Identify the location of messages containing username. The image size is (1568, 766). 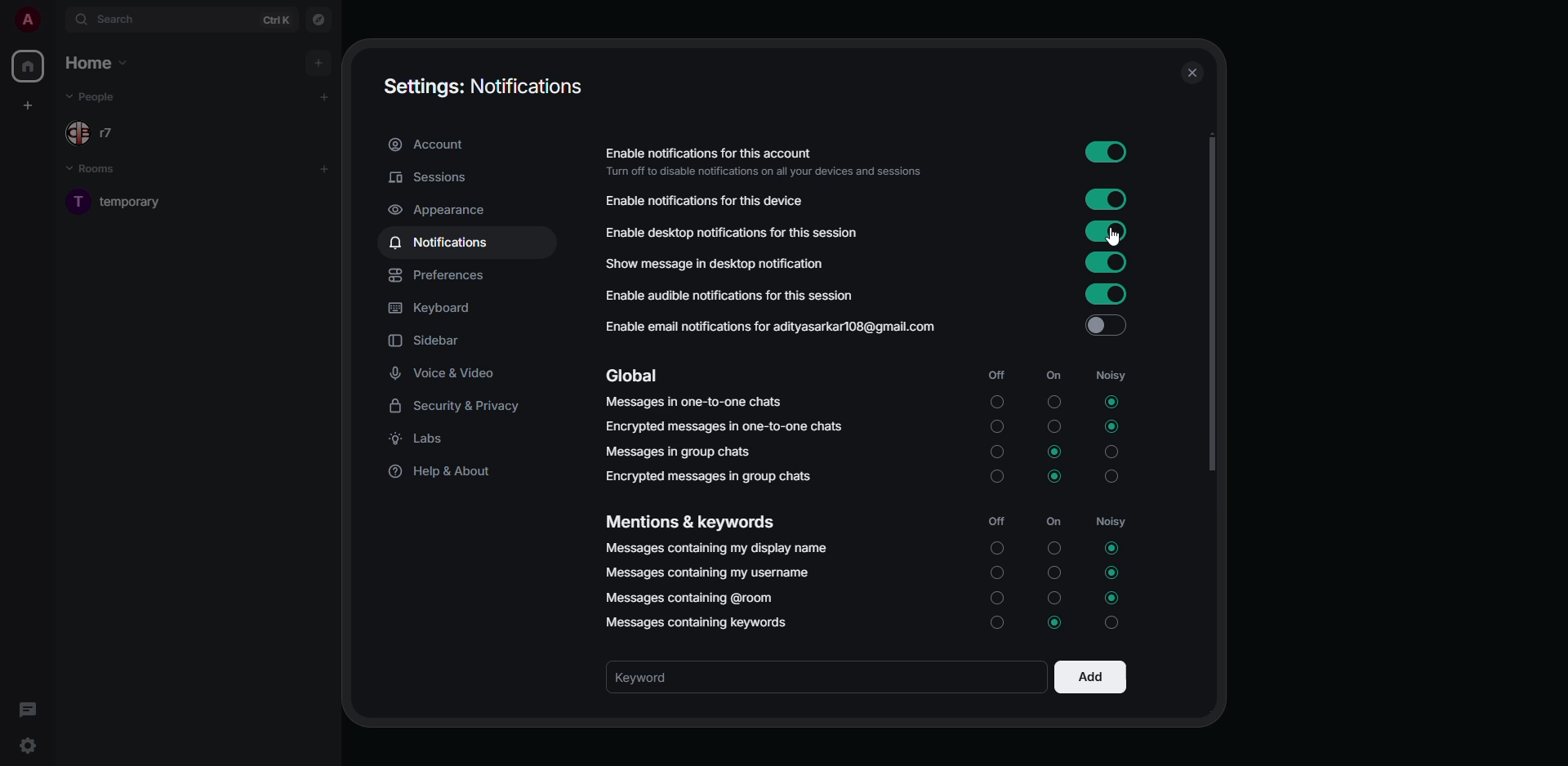
(706, 572).